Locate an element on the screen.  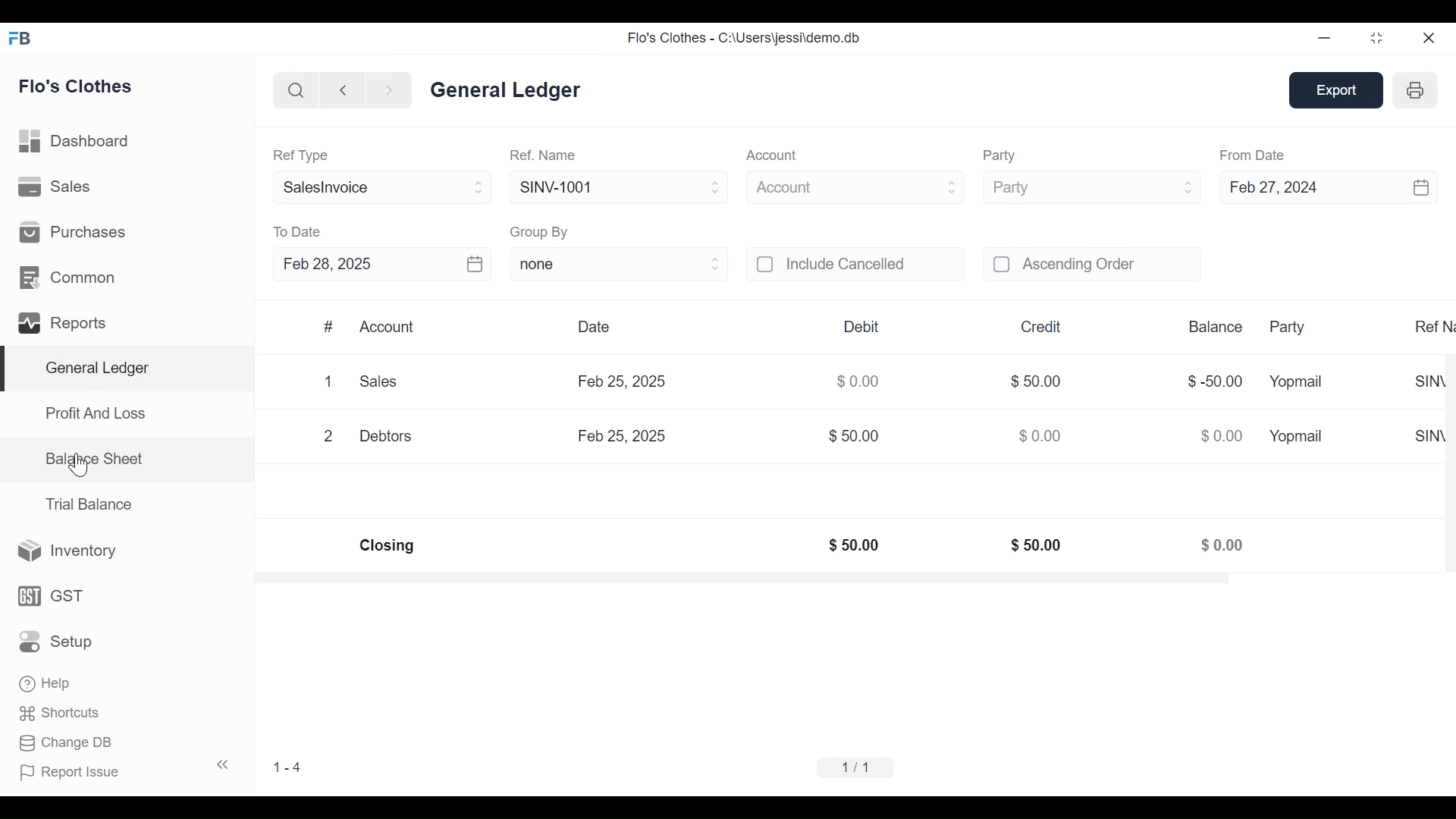
checkbox is located at coordinates (1003, 264).